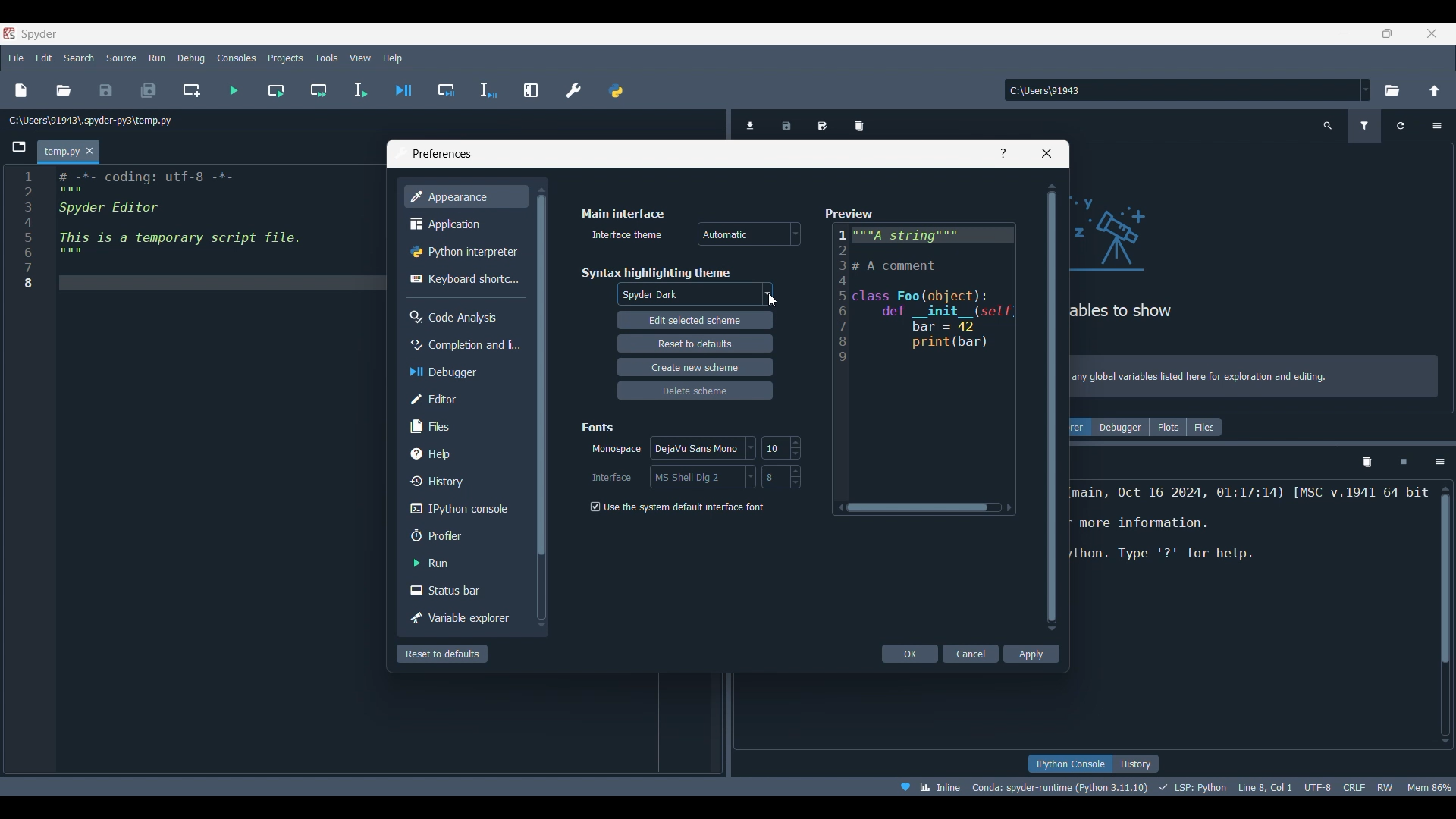 The height and width of the screenshot is (819, 1456). What do you see at coordinates (91, 121) in the screenshot?
I see `Location of current file` at bounding box center [91, 121].